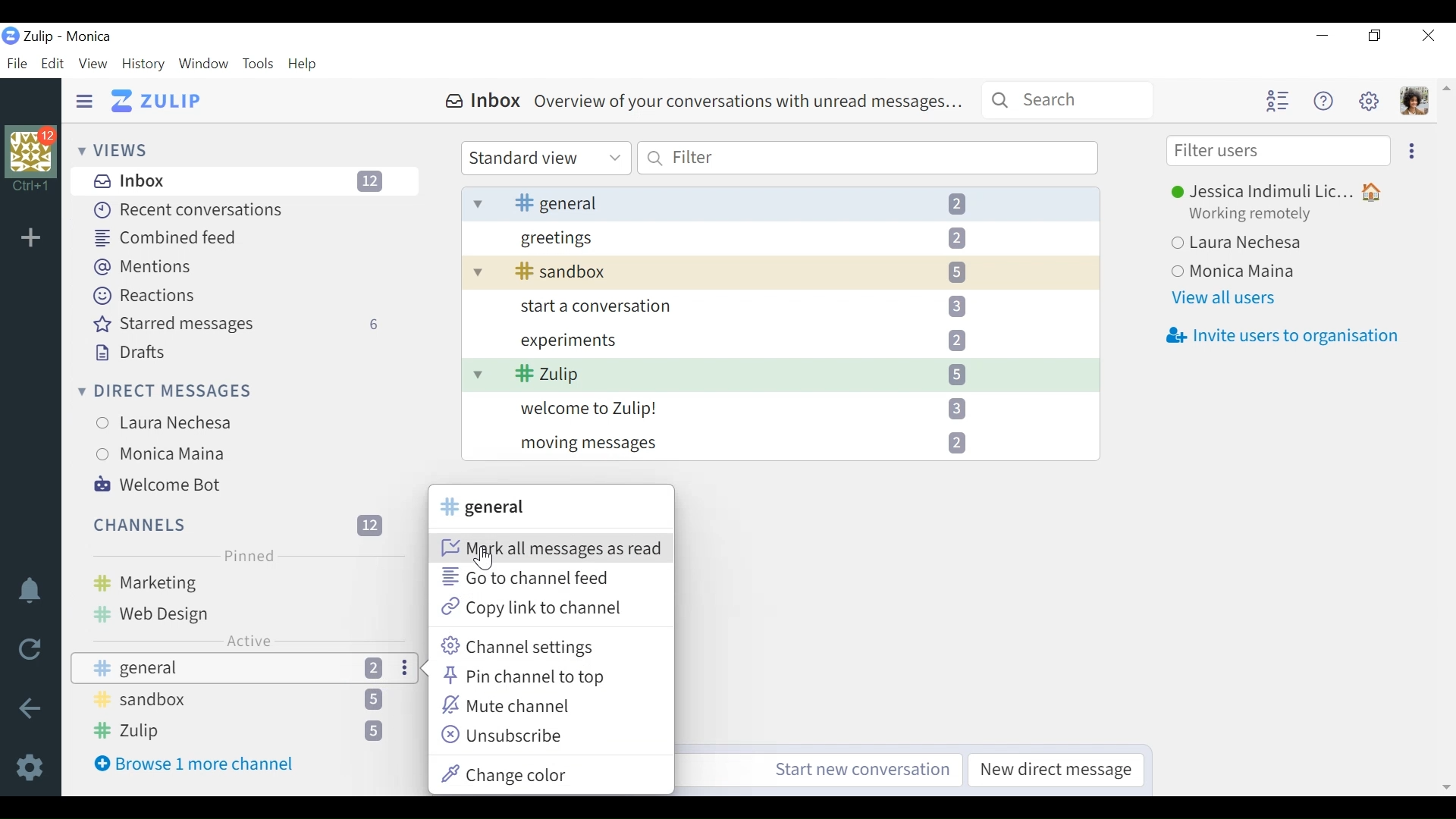 Image resolution: width=1456 pixels, height=819 pixels. Describe the element at coordinates (1367, 100) in the screenshot. I see `Main menu` at that location.